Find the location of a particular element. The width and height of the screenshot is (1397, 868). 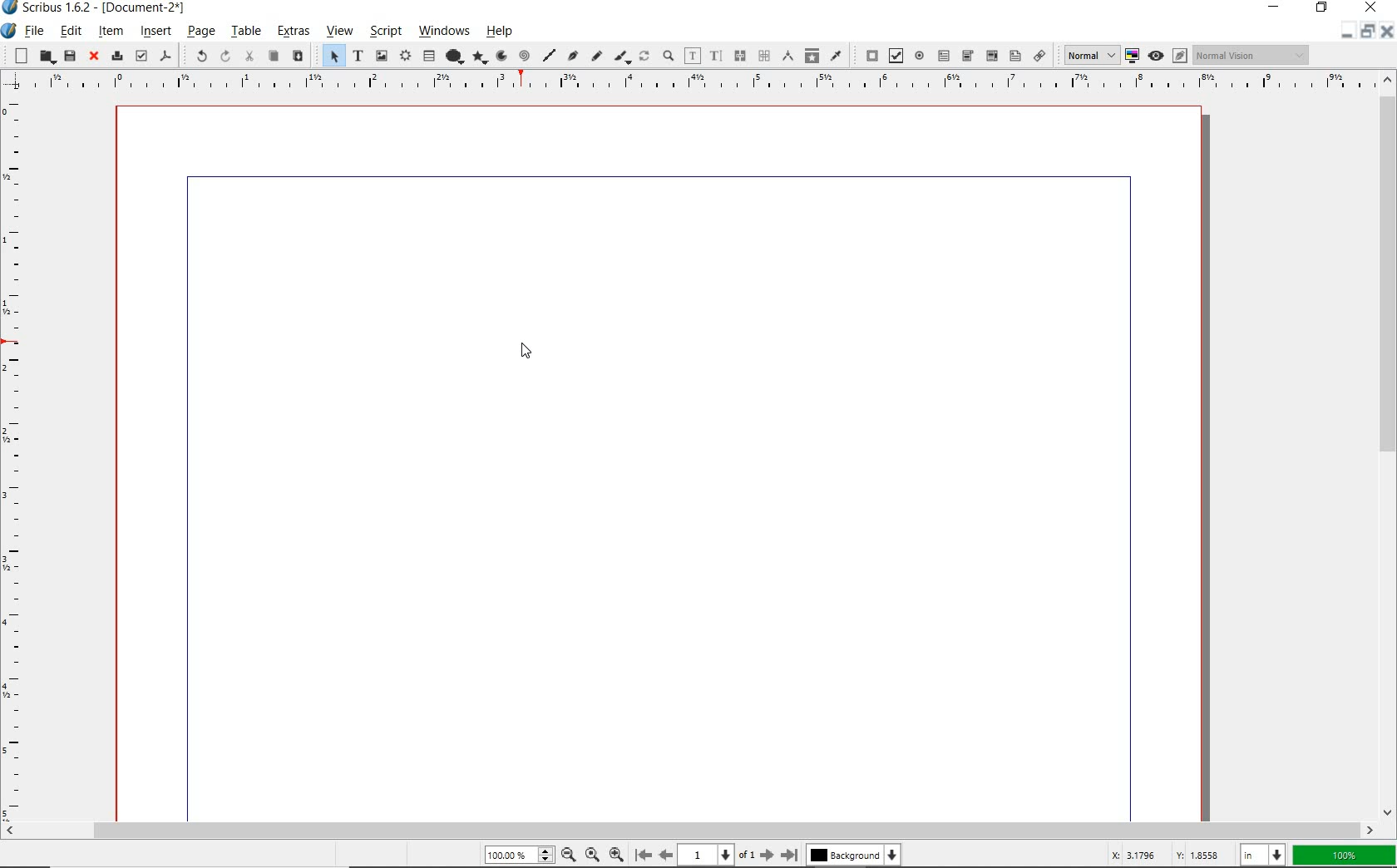

calligraphic line is located at coordinates (622, 57).